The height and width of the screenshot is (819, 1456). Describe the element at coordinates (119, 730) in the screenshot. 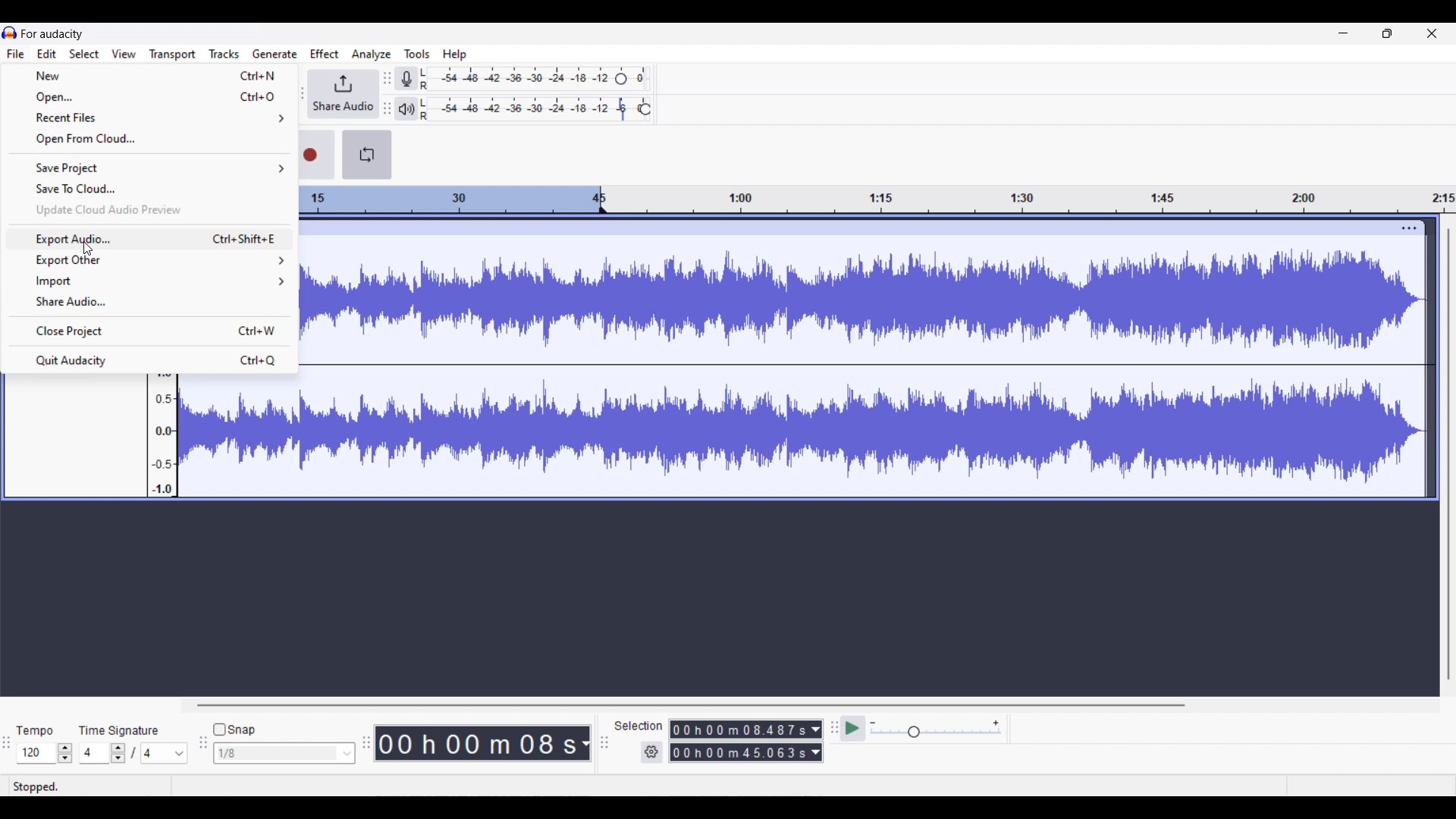

I see `Indicates time signature settings` at that location.